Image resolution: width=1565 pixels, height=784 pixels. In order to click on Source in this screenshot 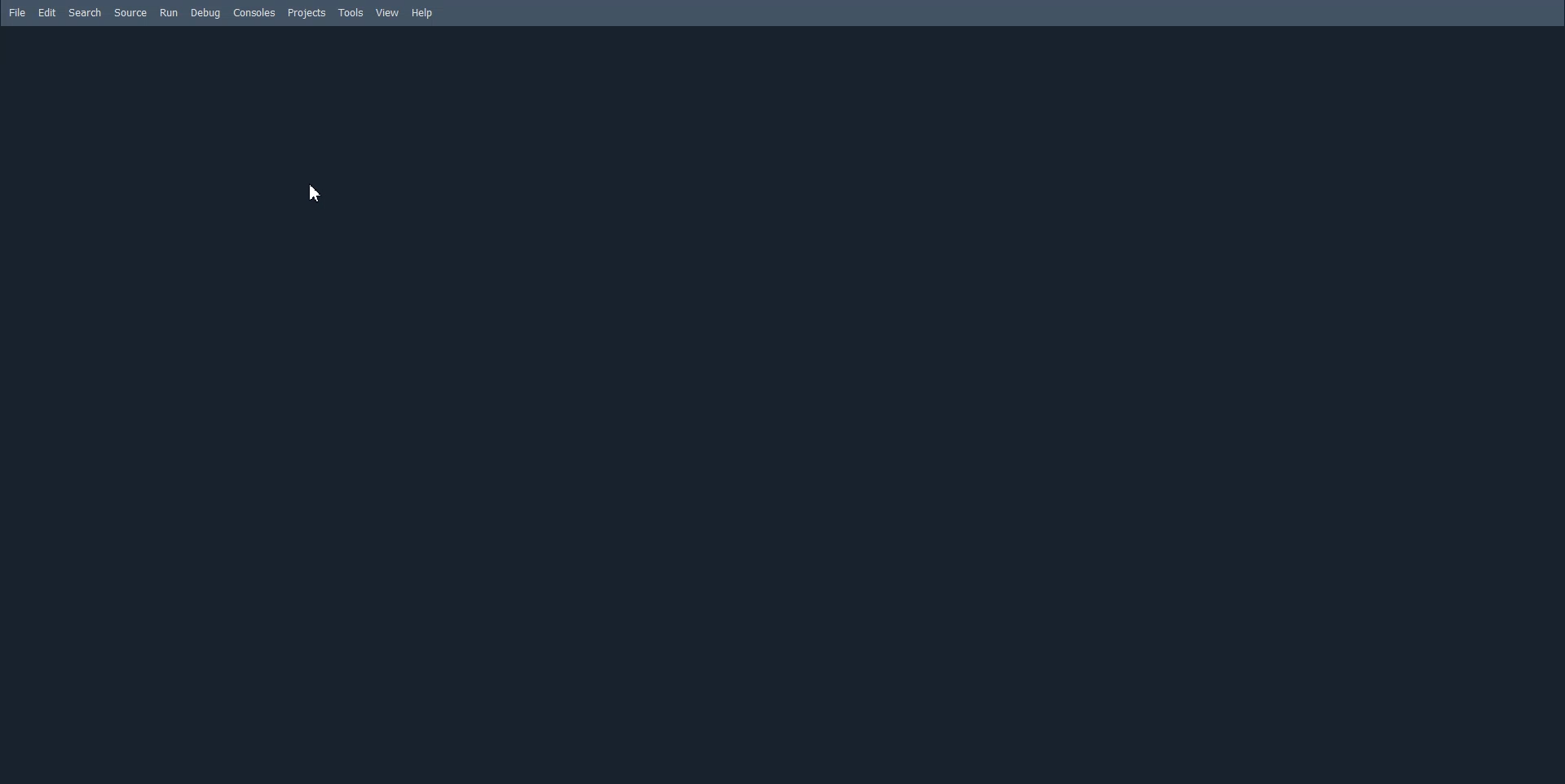, I will do `click(131, 13)`.